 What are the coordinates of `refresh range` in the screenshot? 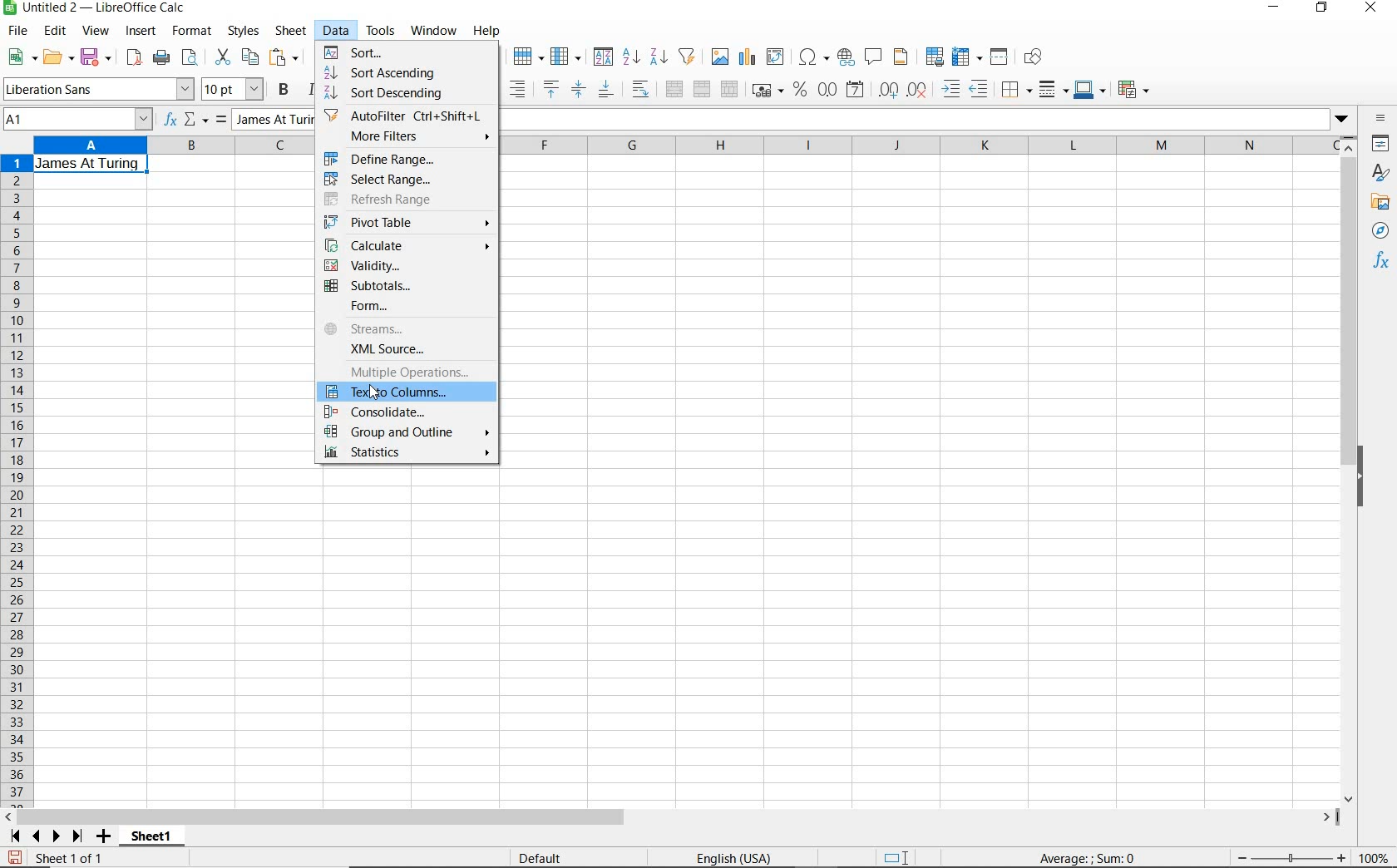 It's located at (385, 199).